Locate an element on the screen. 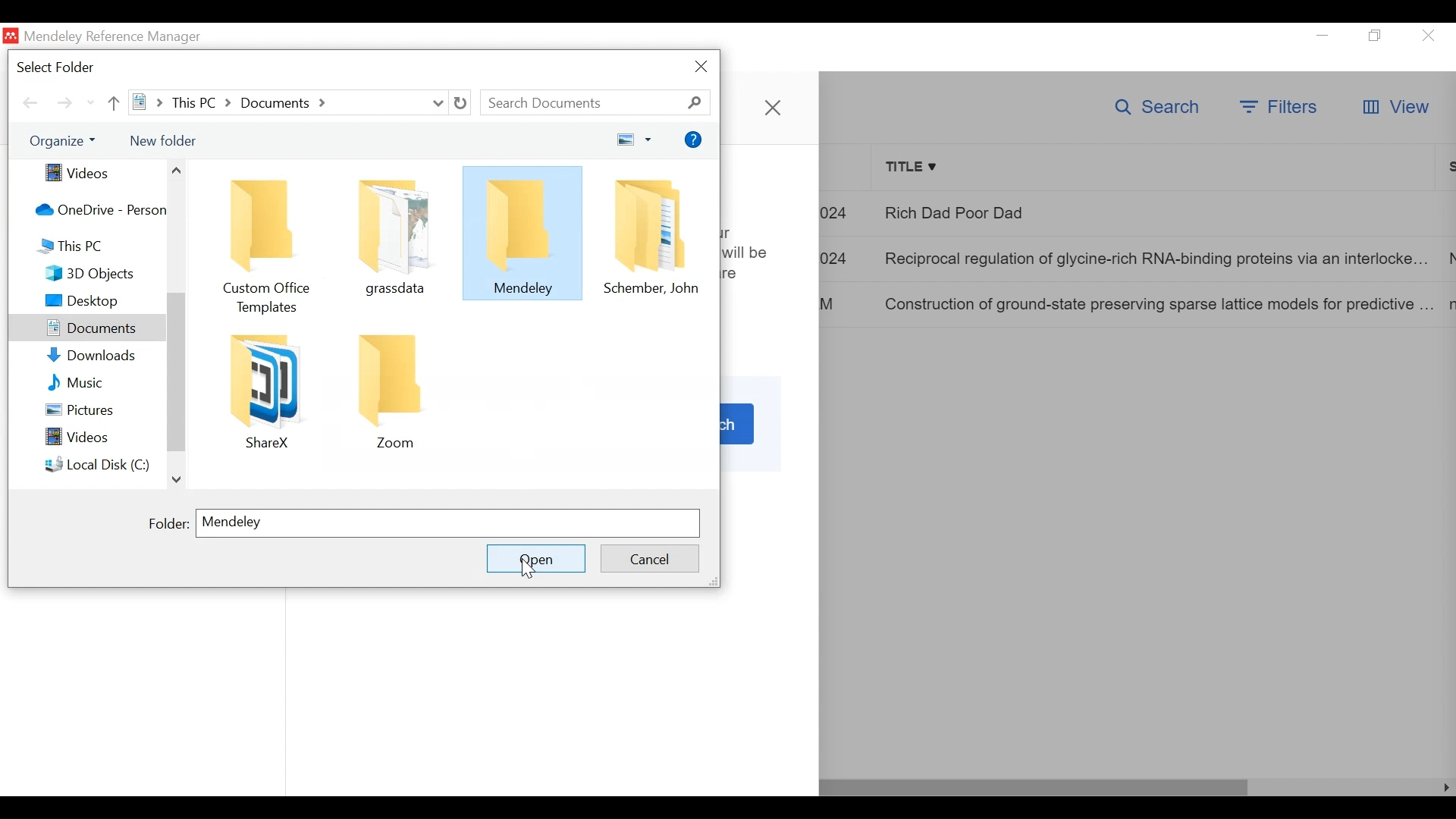 The height and width of the screenshot is (819, 1456). 3D Object is located at coordinates (97, 275).